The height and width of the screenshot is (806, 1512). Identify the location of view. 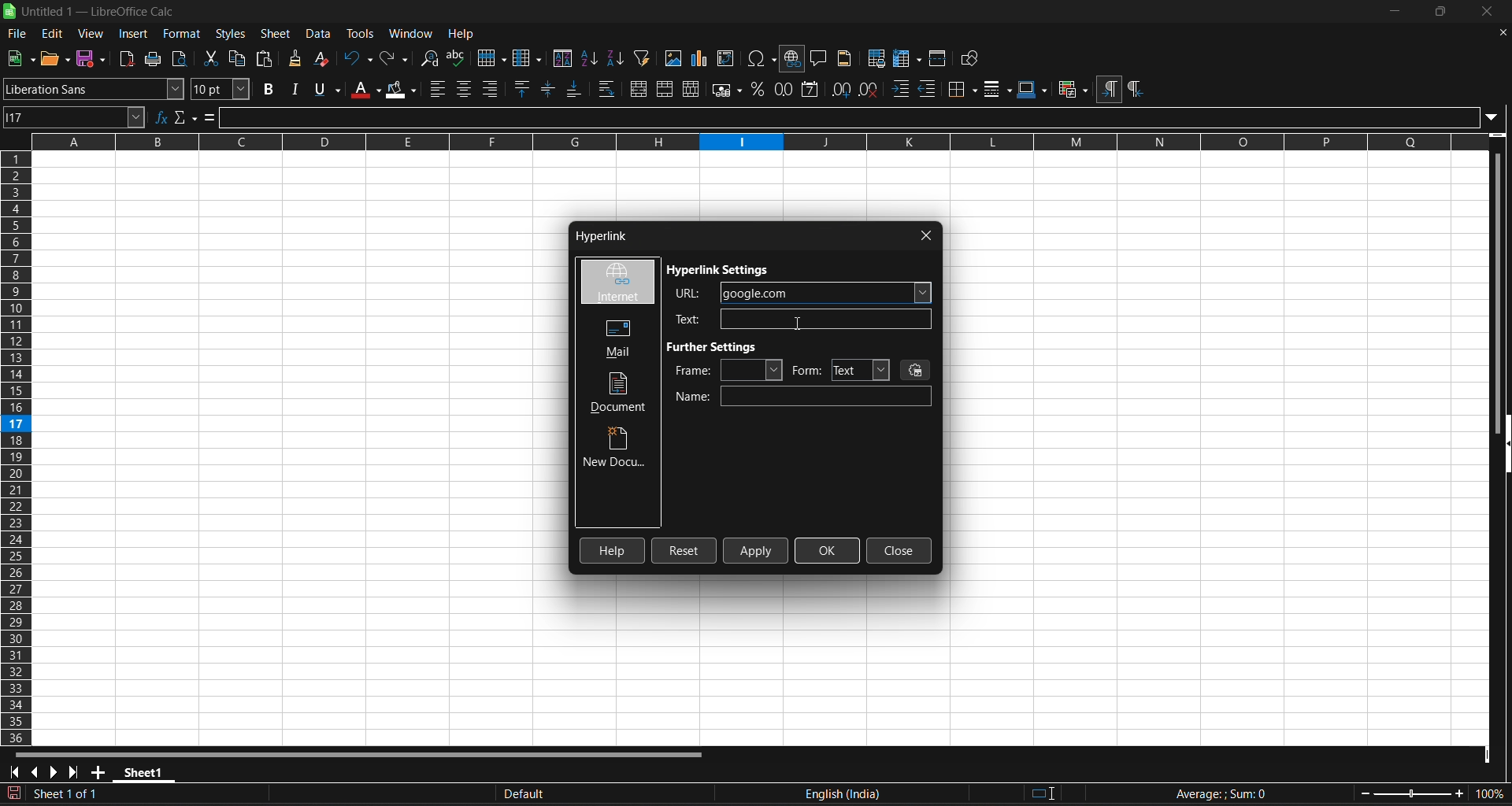
(91, 33).